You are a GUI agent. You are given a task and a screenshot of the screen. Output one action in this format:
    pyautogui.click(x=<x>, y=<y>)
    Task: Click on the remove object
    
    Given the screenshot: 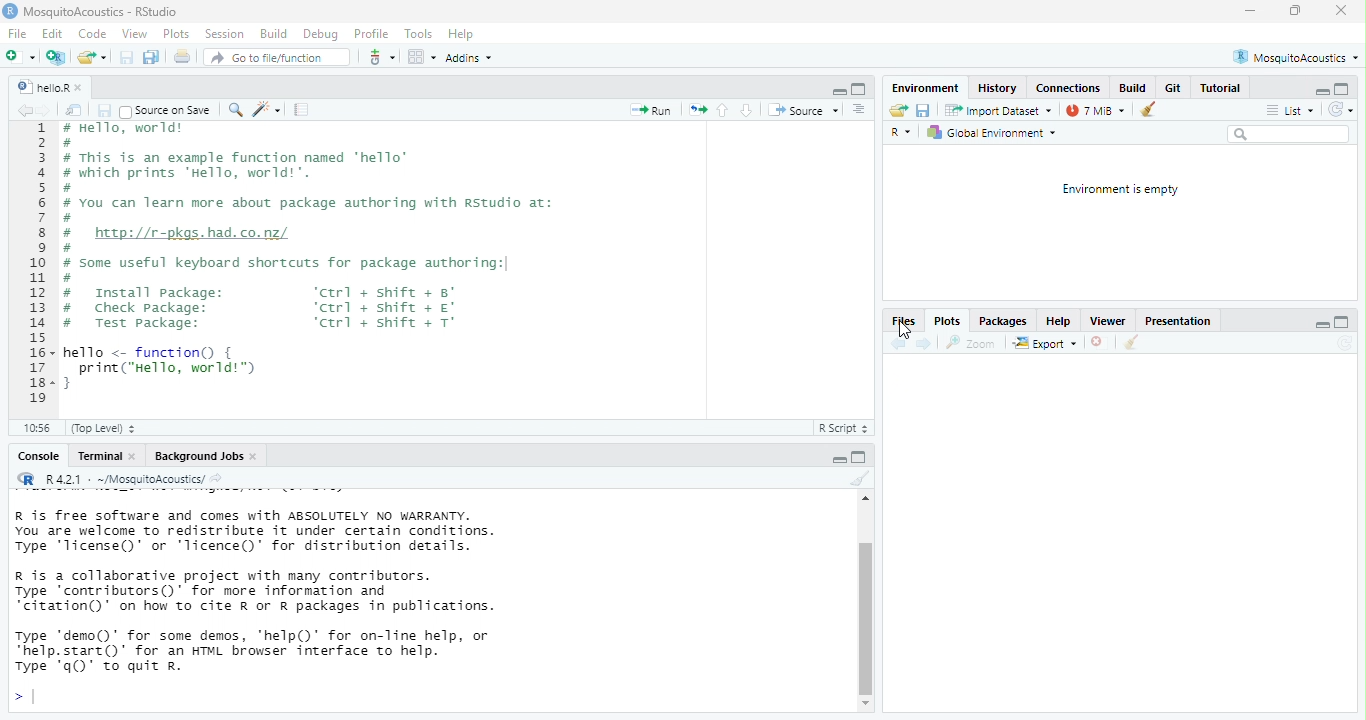 What is the action you would take?
    pyautogui.click(x=1156, y=110)
    